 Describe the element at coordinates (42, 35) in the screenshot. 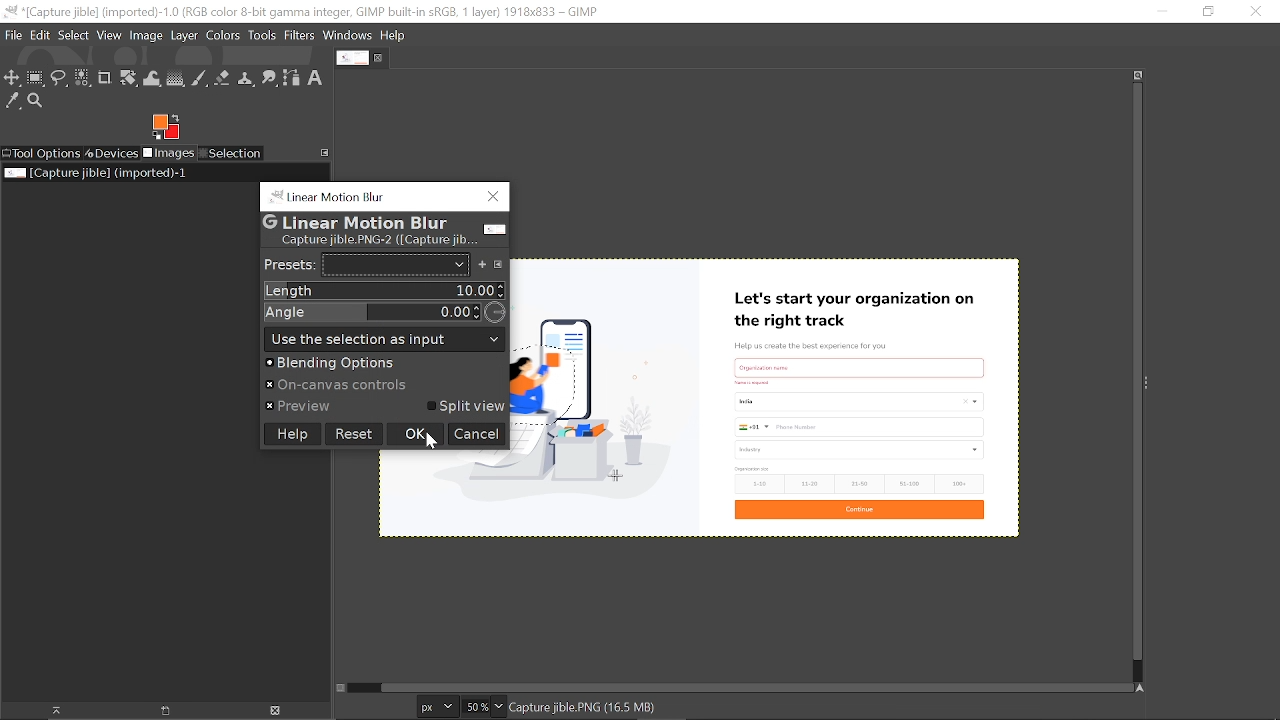

I see `Edit` at that location.